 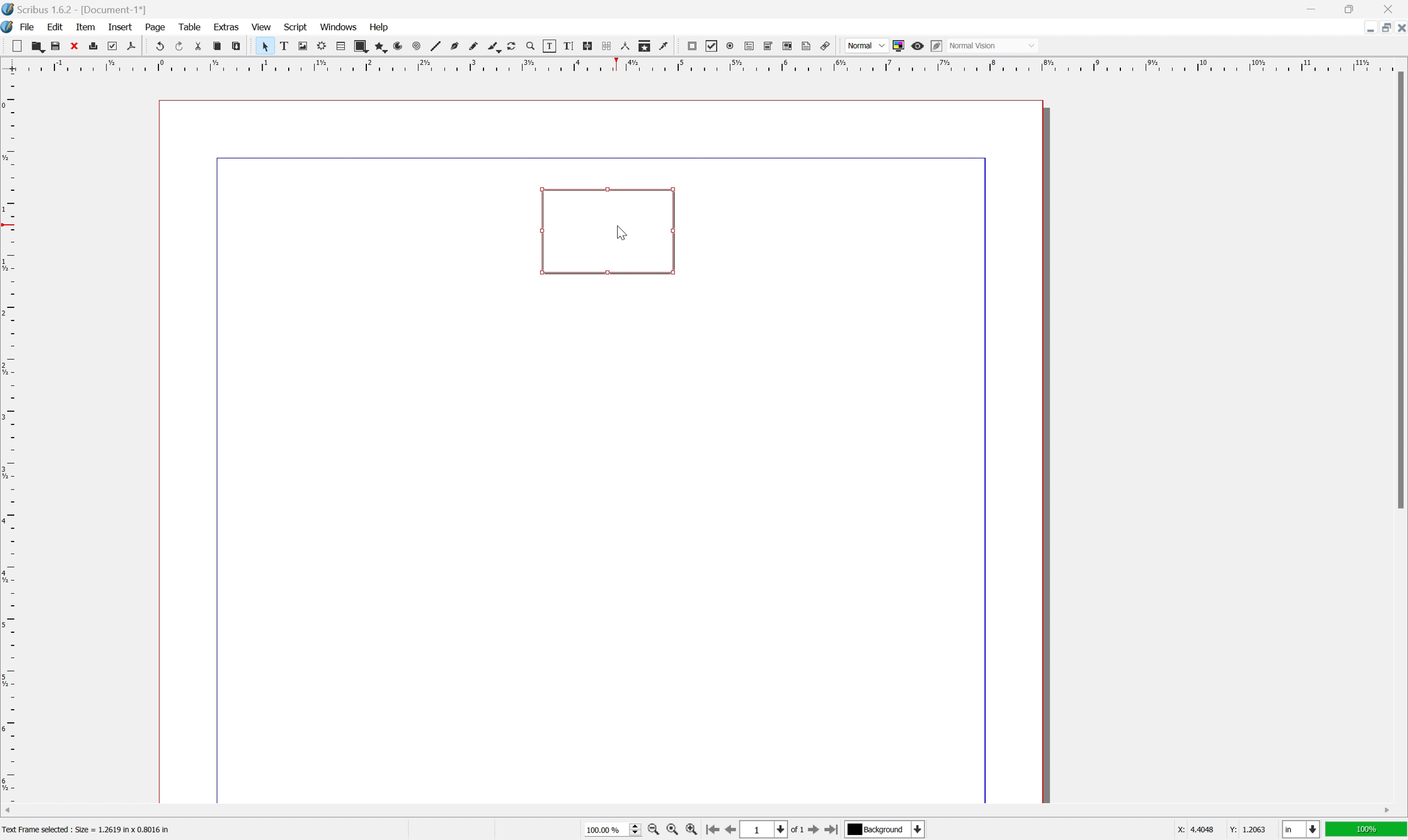 What do you see at coordinates (730, 832) in the screenshot?
I see `go to previous page` at bounding box center [730, 832].